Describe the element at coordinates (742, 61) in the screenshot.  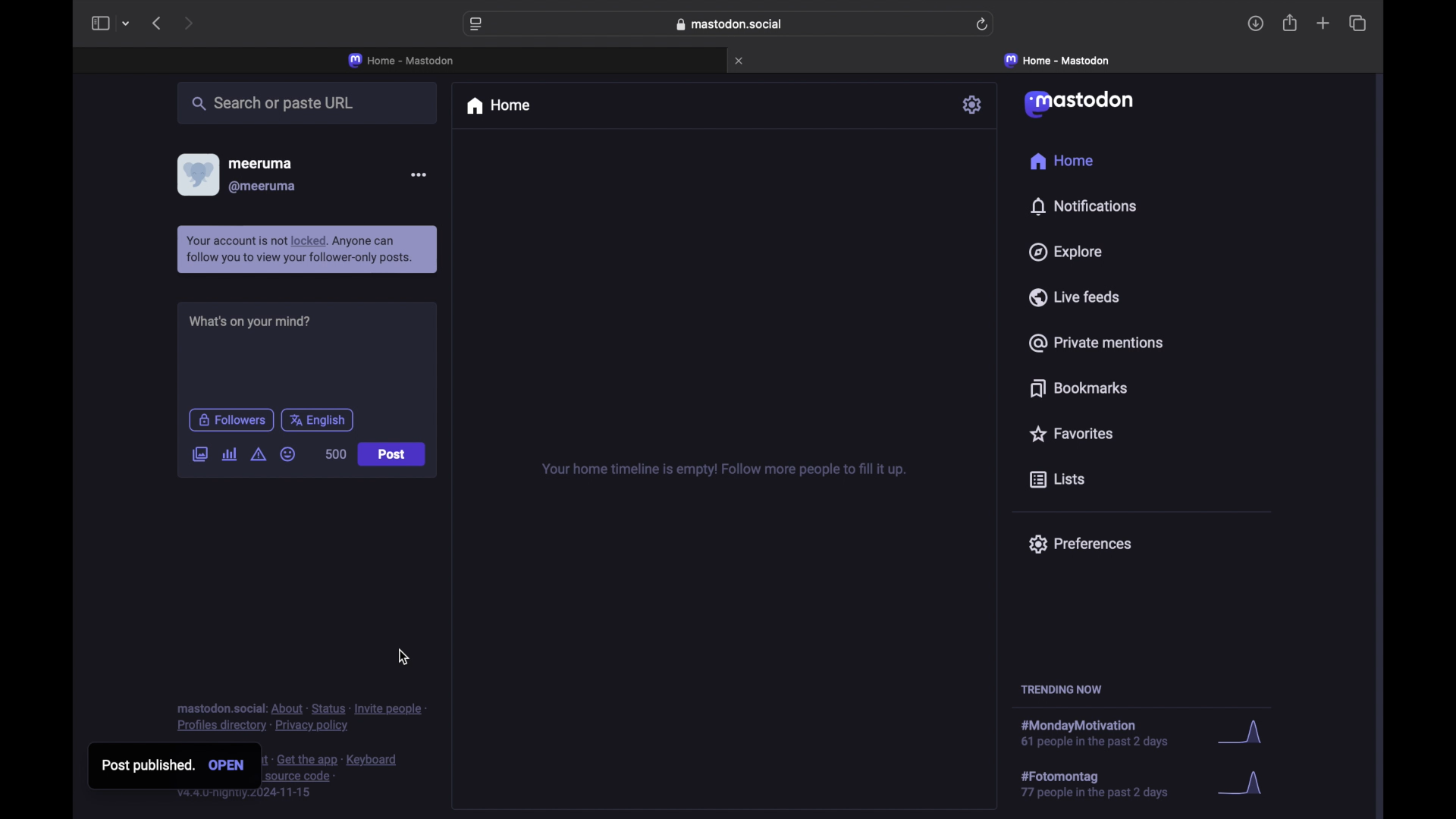
I see `close` at that location.